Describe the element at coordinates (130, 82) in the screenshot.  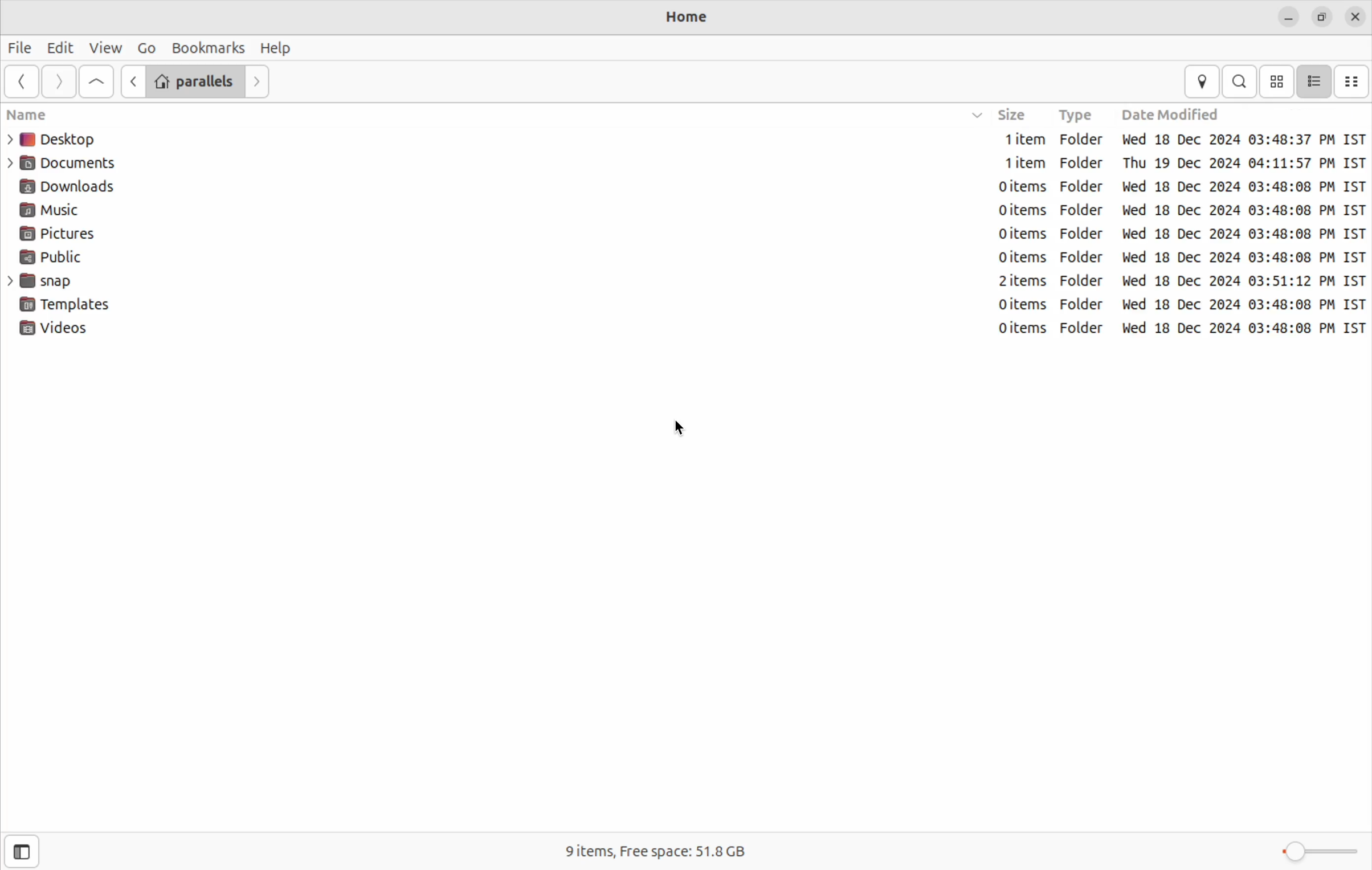
I see `Go previous` at that location.